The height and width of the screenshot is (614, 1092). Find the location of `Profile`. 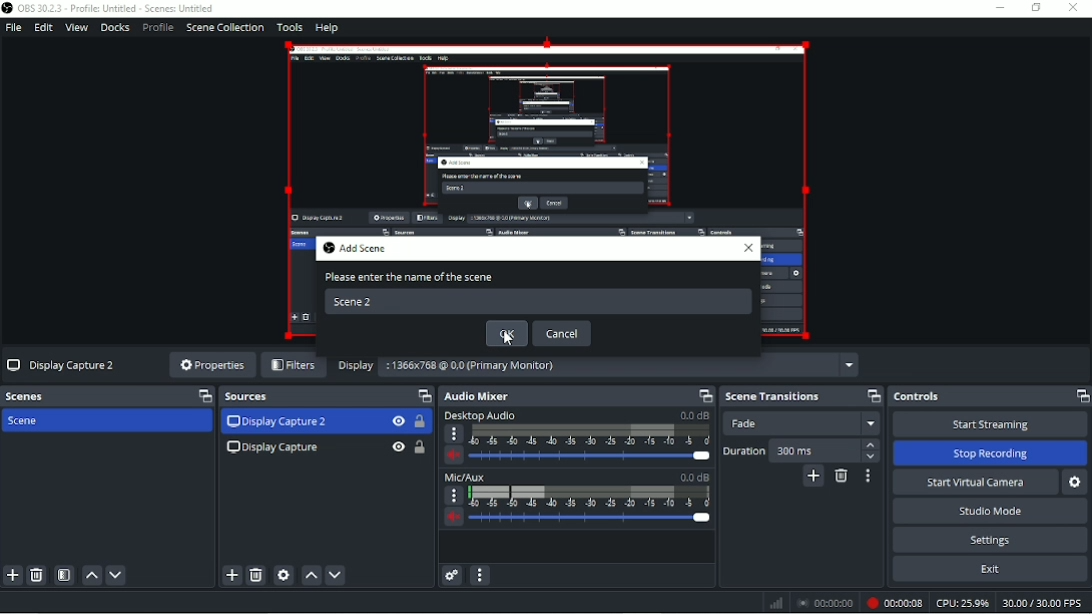

Profile is located at coordinates (158, 28).